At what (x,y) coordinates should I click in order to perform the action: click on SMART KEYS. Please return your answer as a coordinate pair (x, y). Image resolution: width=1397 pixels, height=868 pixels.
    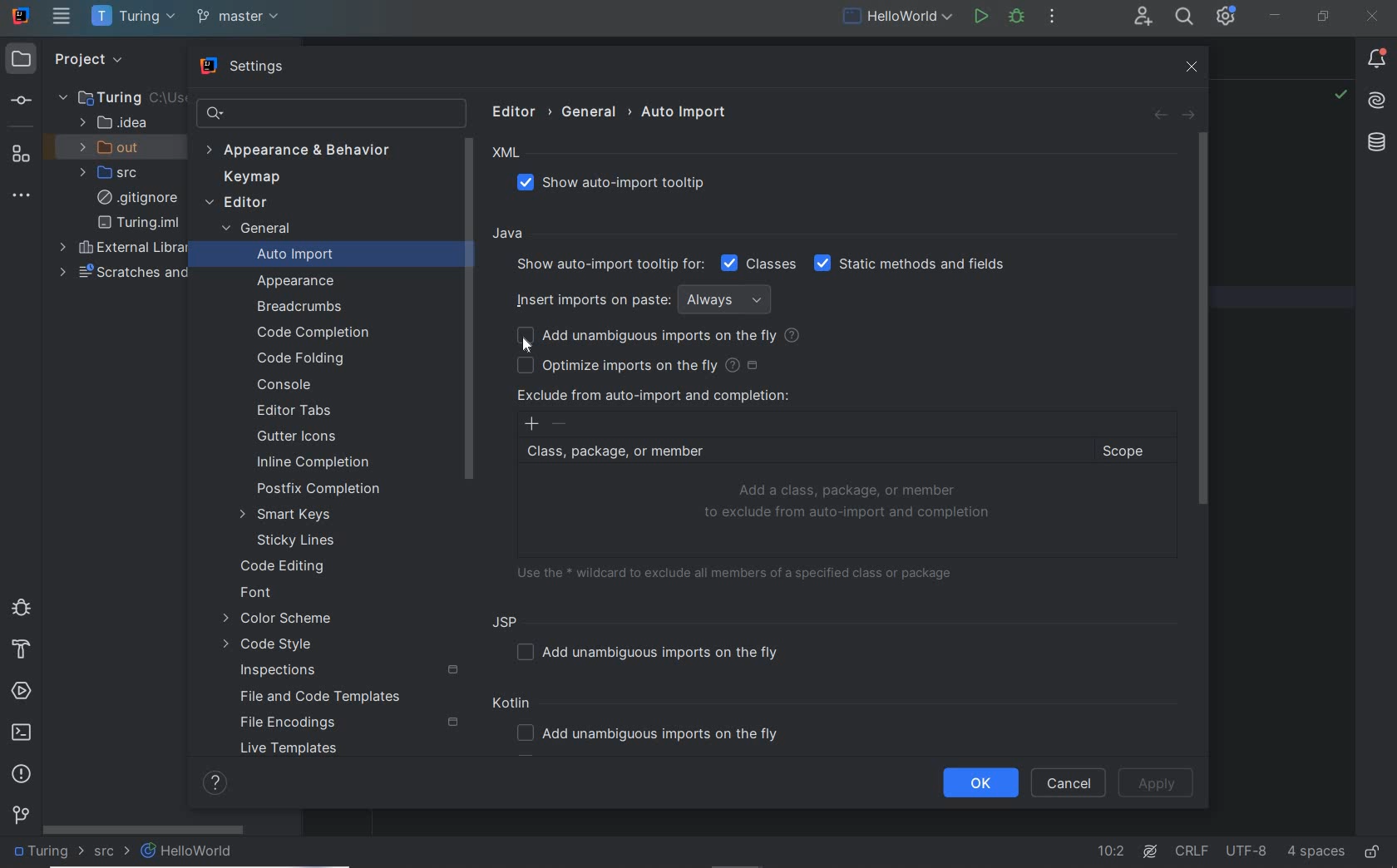
    Looking at the image, I should click on (292, 515).